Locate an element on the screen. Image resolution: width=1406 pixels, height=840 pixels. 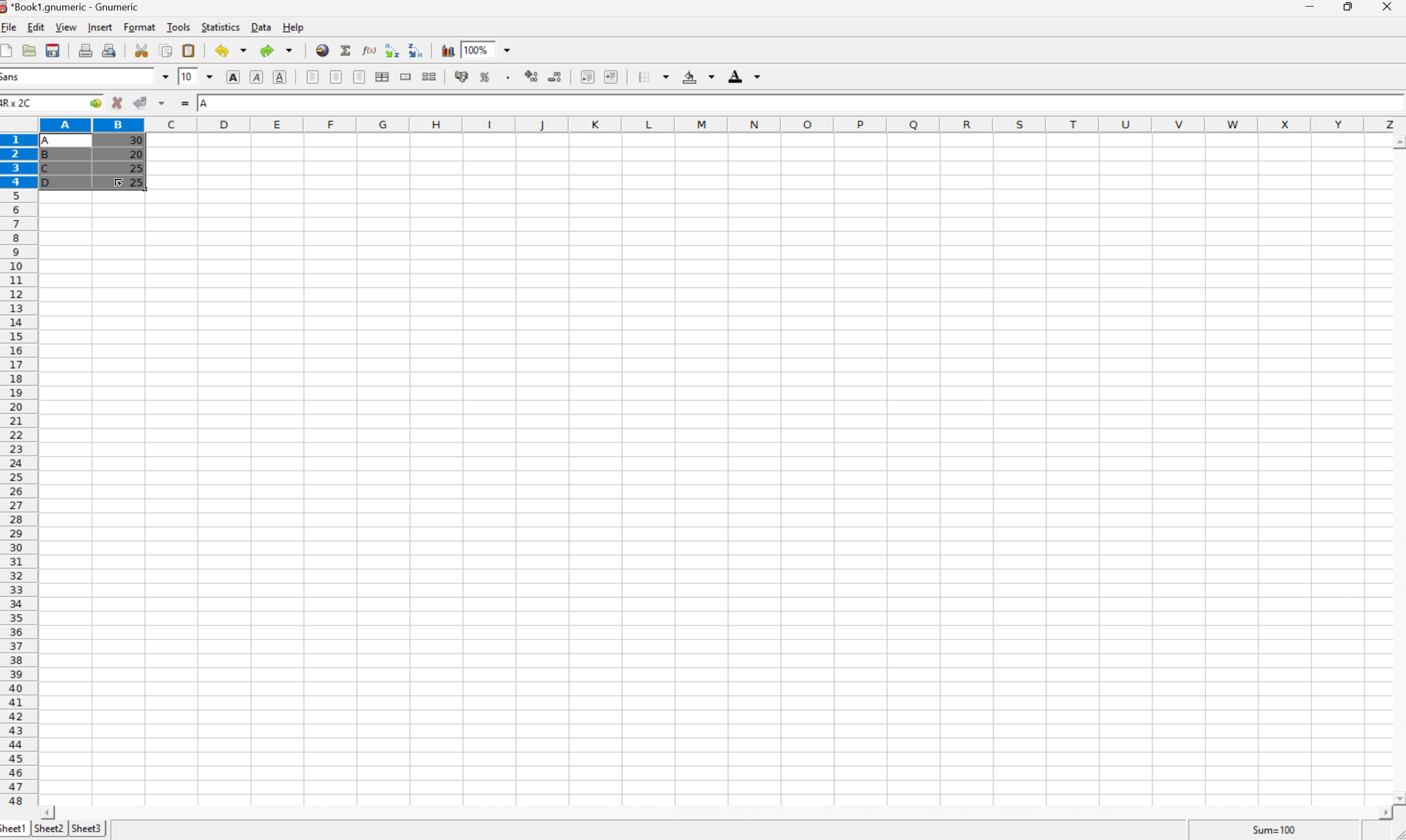
Foreground is located at coordinates (746, 76).